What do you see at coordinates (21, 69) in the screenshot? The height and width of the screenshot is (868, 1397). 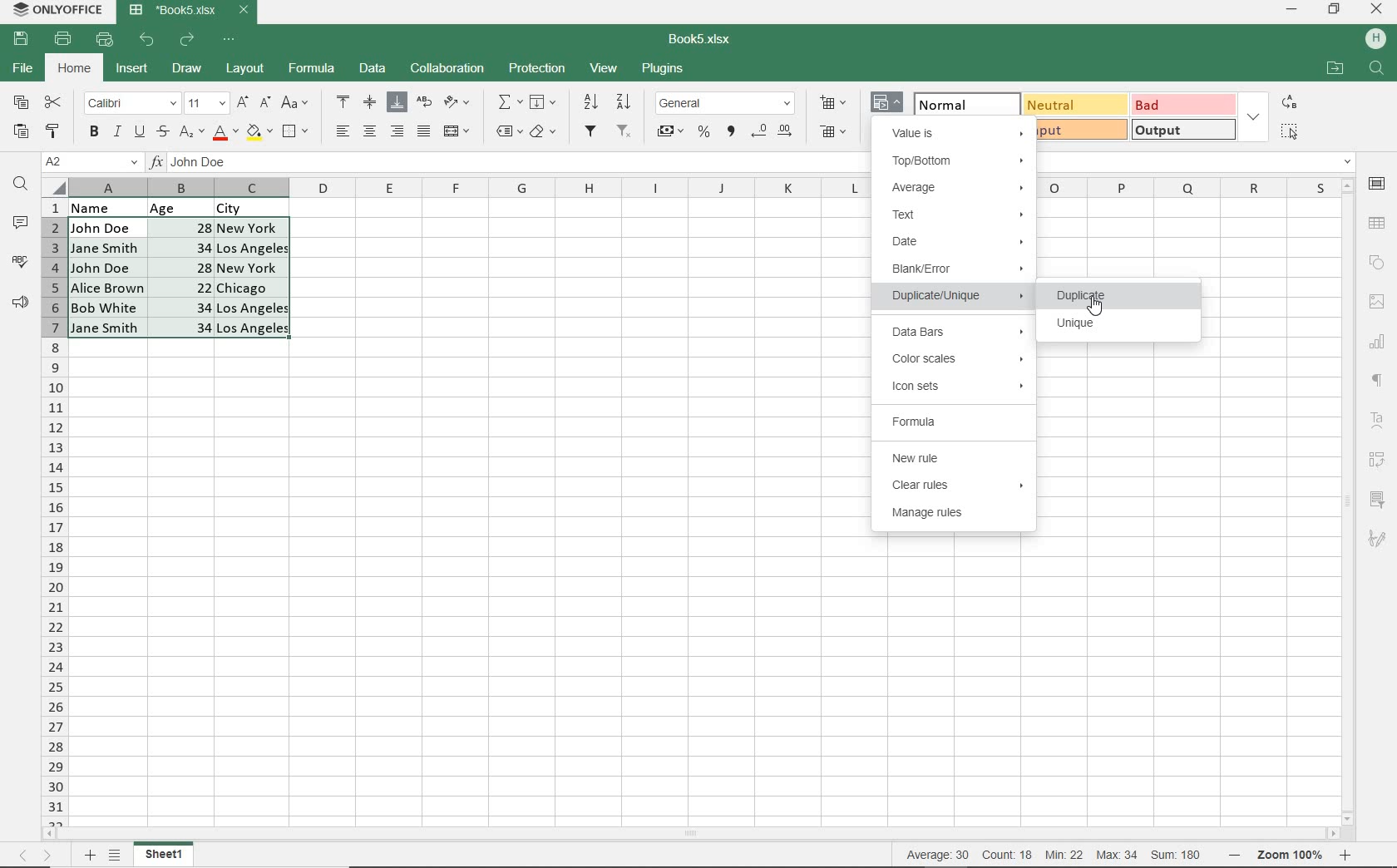 I see `FILE` at bounding box center [21, 69].